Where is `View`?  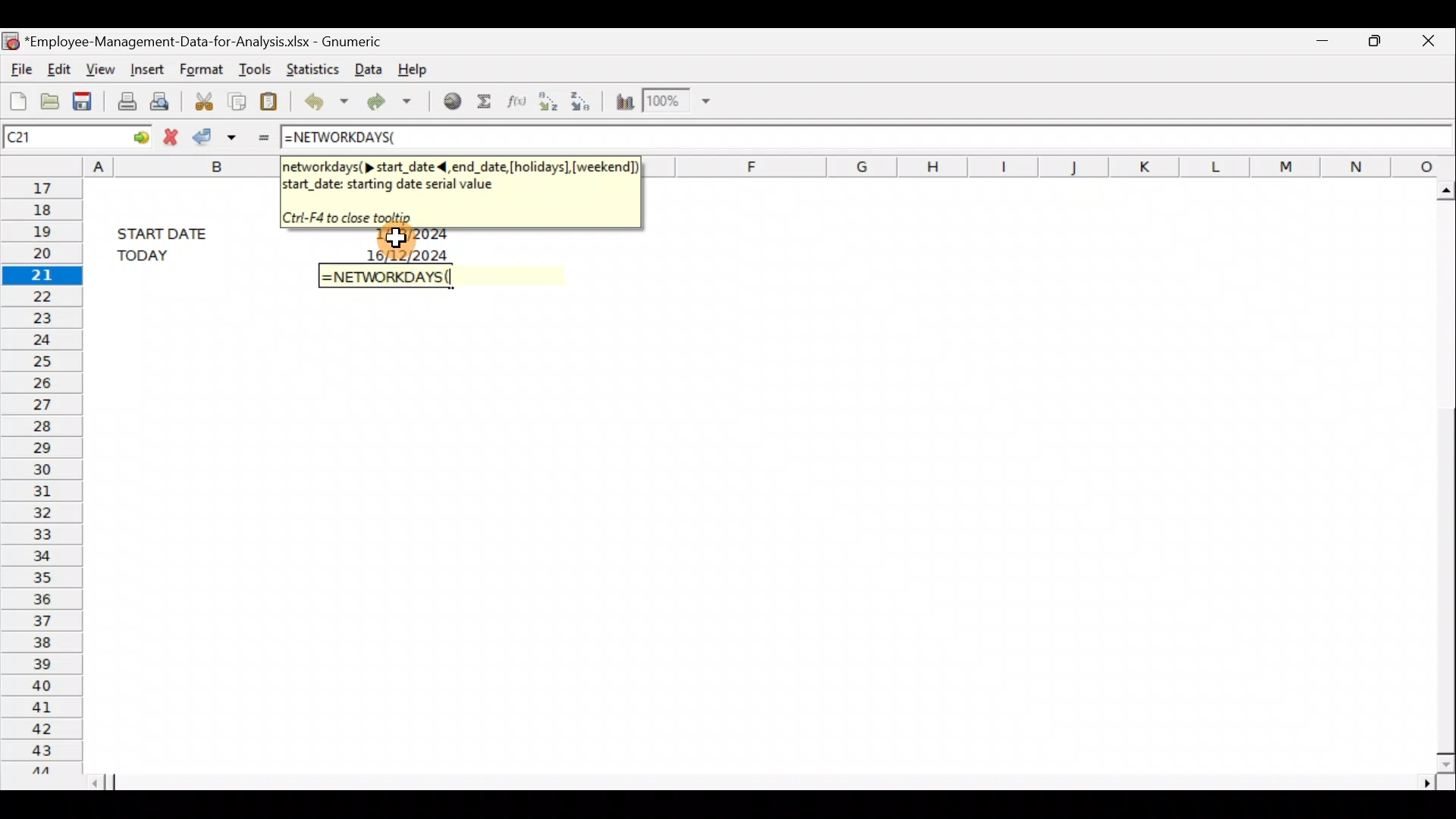
View is located at coordinates (102, 68).